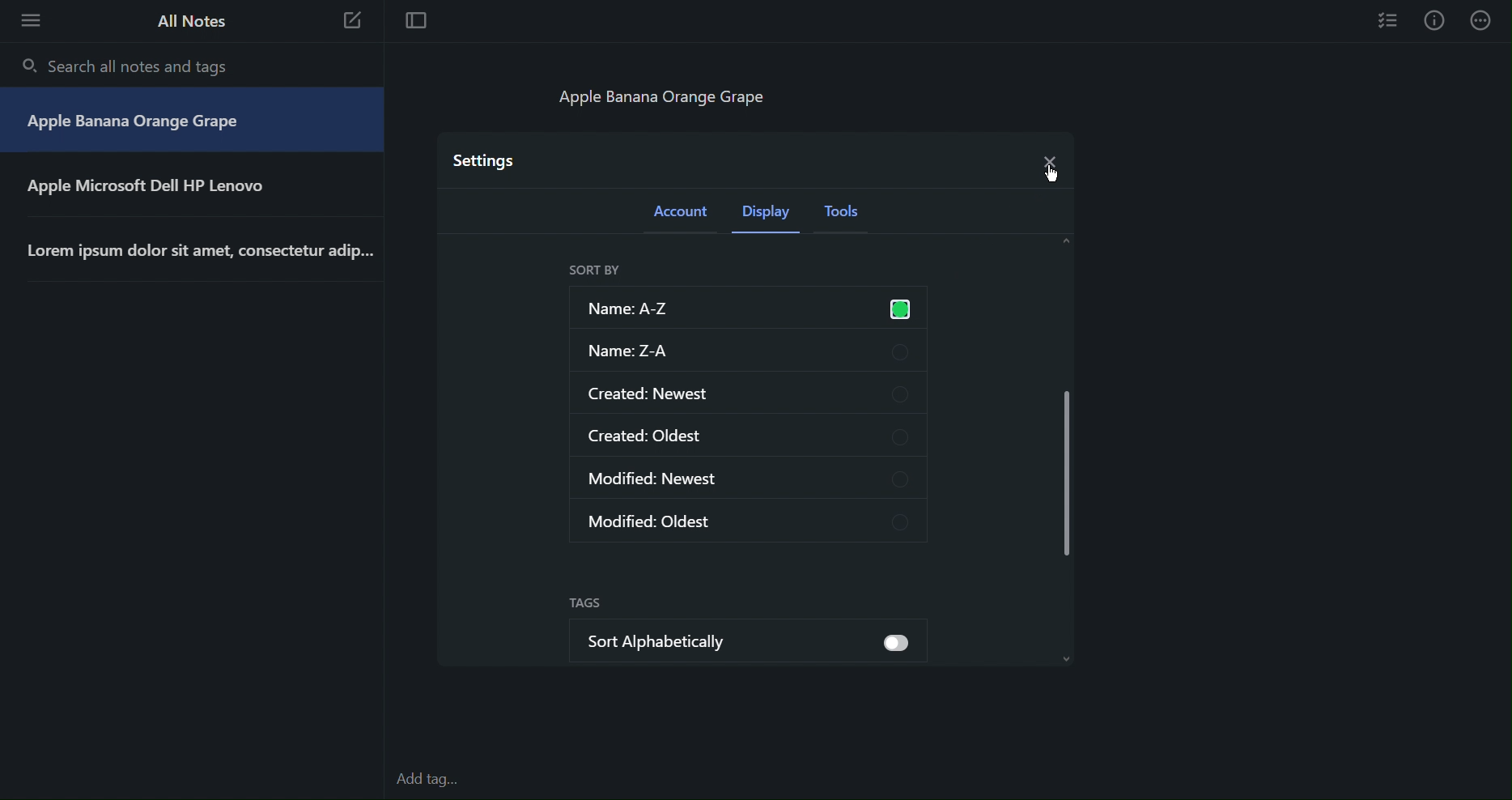  Describe the element at coordinates (847, 216) in the screenshot. I see `Tools` at that location.